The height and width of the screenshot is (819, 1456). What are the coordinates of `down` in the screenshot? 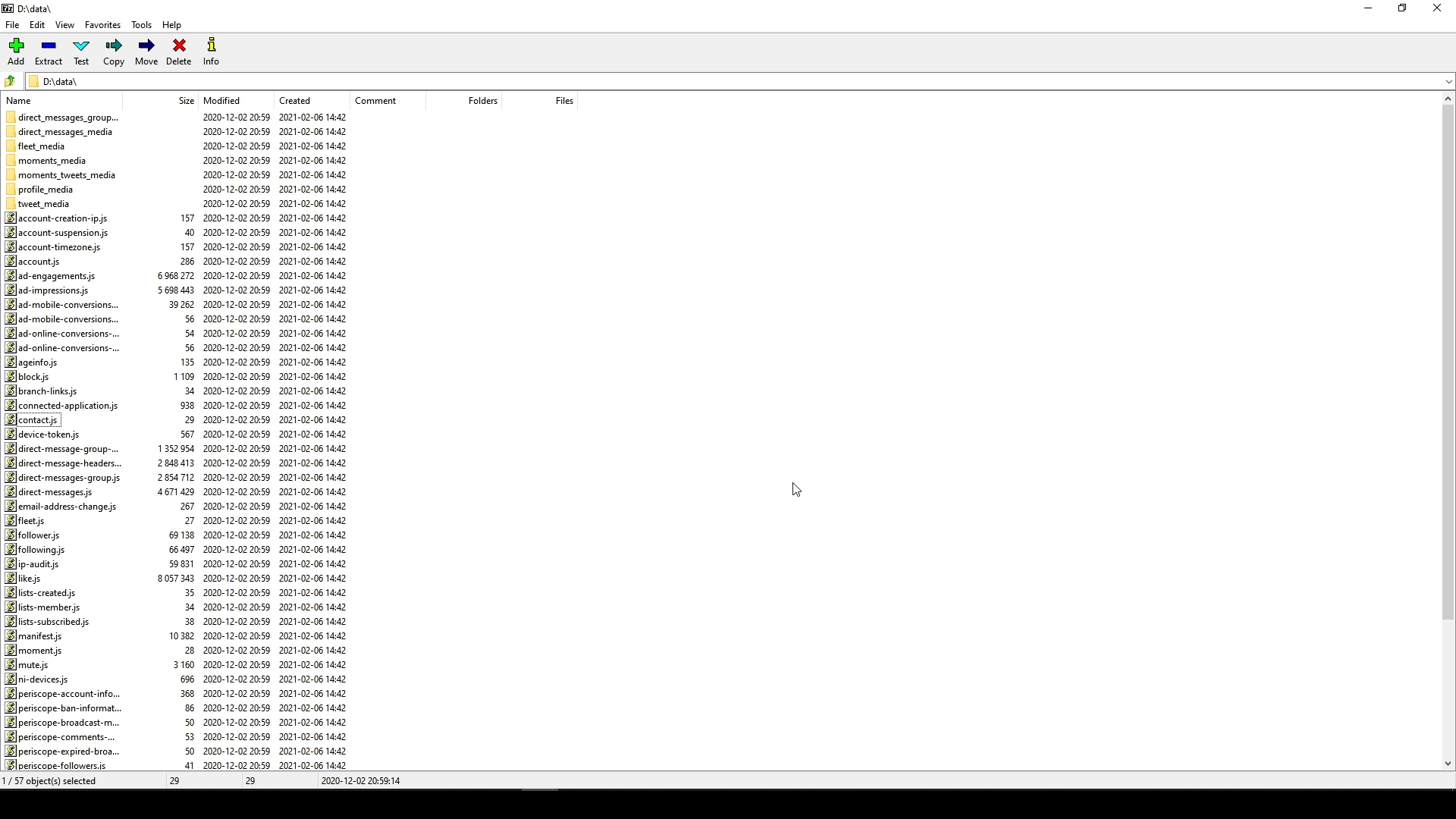 It's located at (1435, 86).